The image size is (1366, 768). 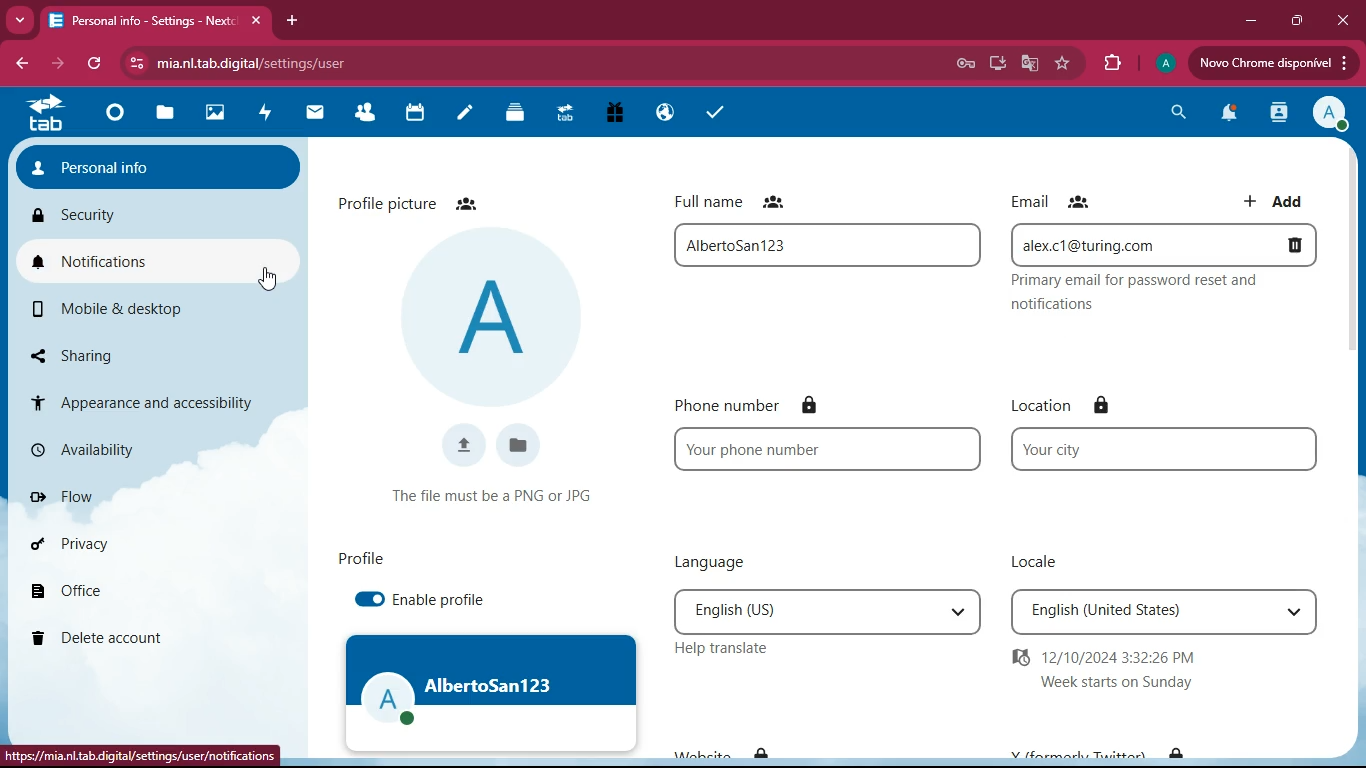 I want to click on back, so click(x=21, y=65).